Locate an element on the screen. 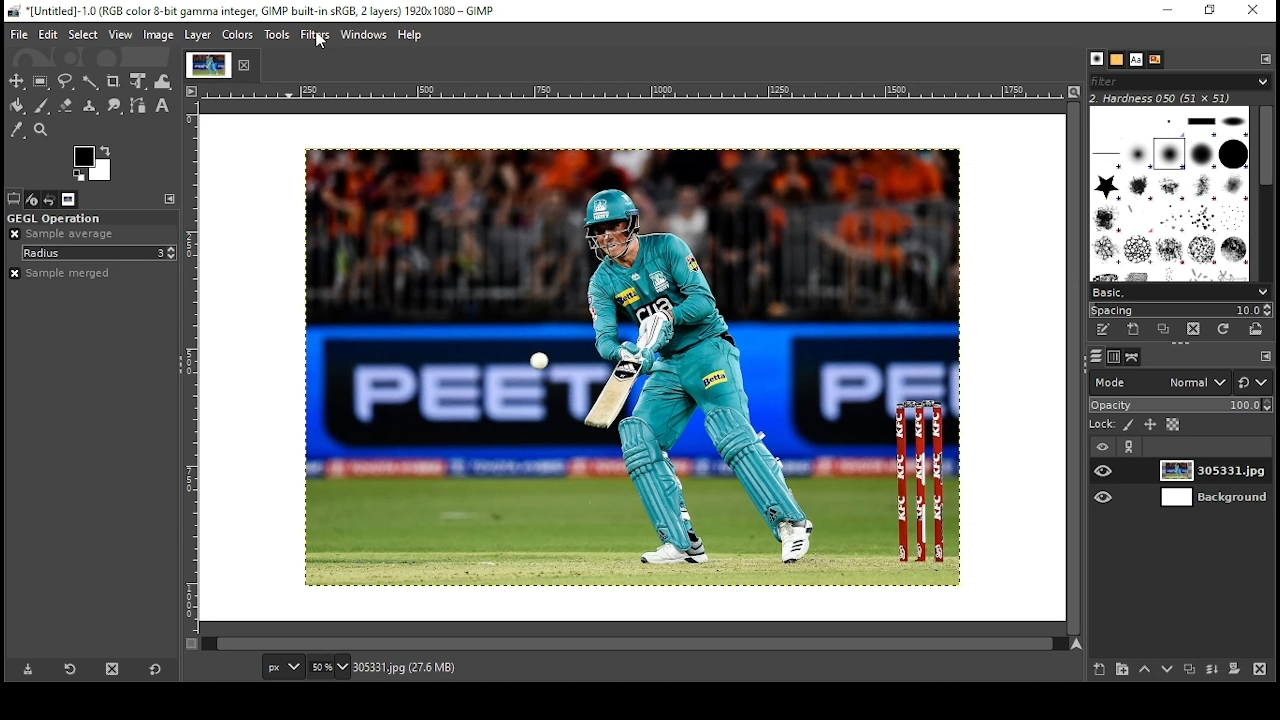 The height and width of the screenshot is (720, 1280). link is located at coordinates (1131, 448).